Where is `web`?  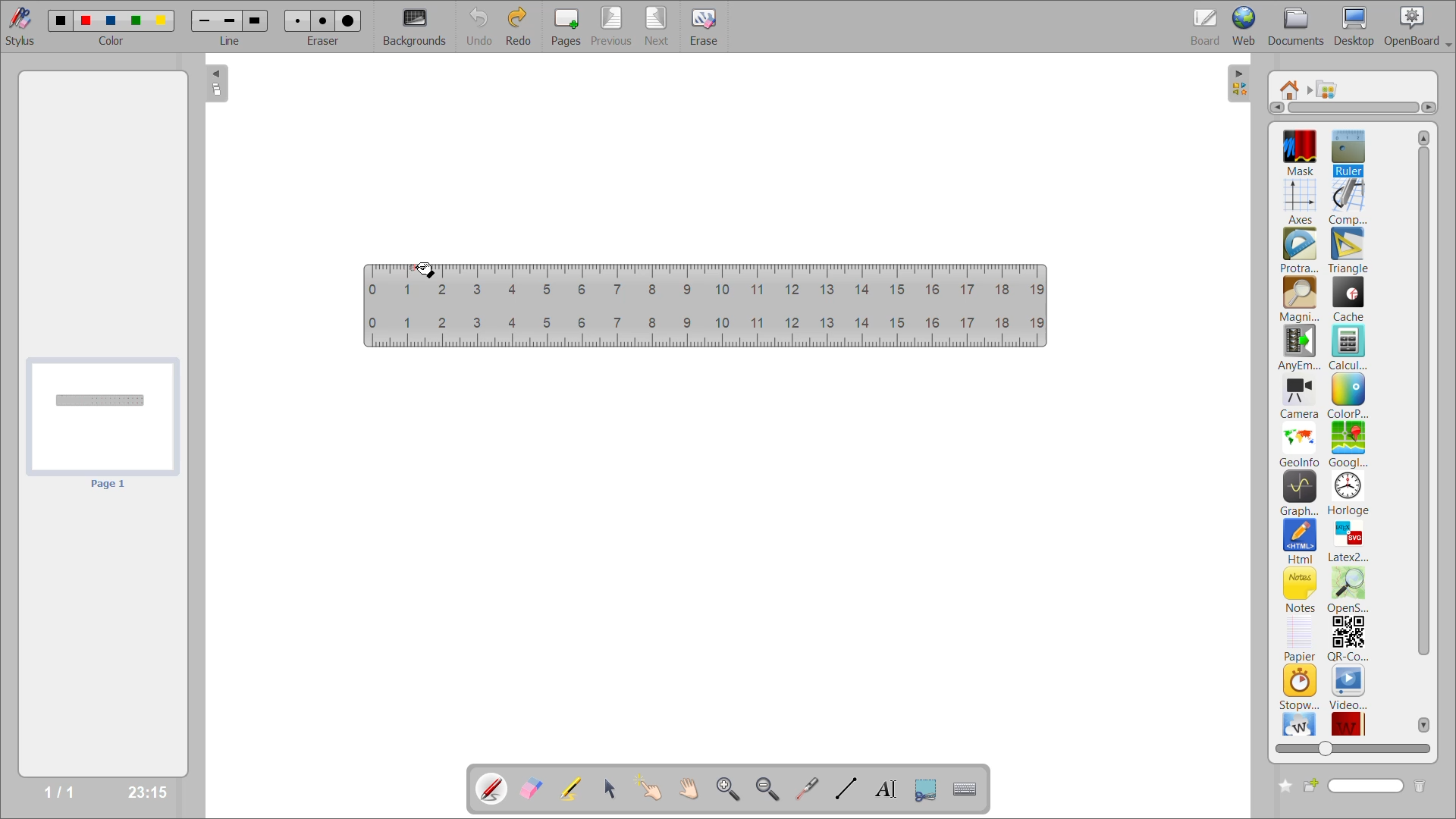 web is located at coordinates (1246, 25).